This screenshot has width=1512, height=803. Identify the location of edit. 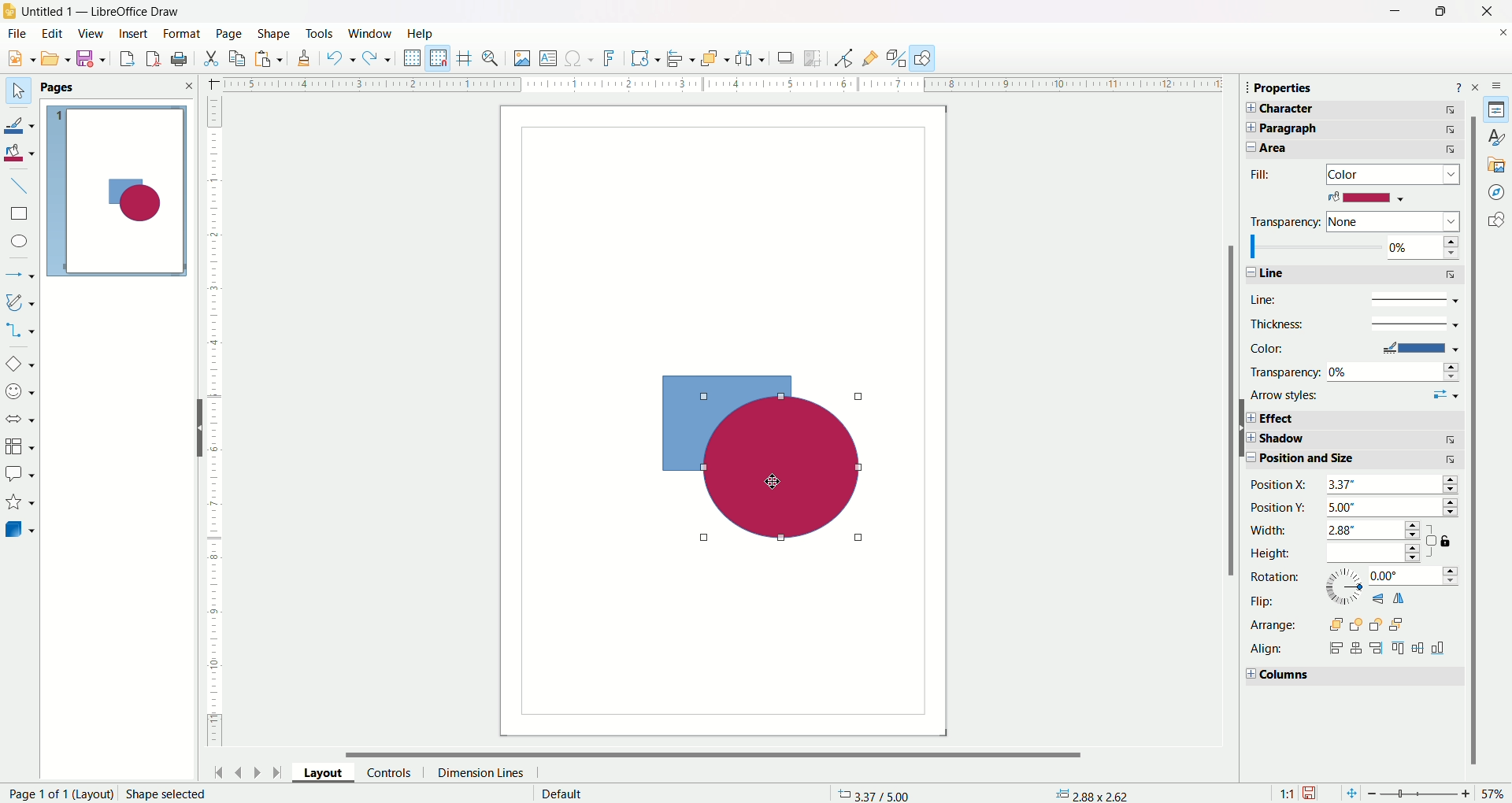
(54, 33).